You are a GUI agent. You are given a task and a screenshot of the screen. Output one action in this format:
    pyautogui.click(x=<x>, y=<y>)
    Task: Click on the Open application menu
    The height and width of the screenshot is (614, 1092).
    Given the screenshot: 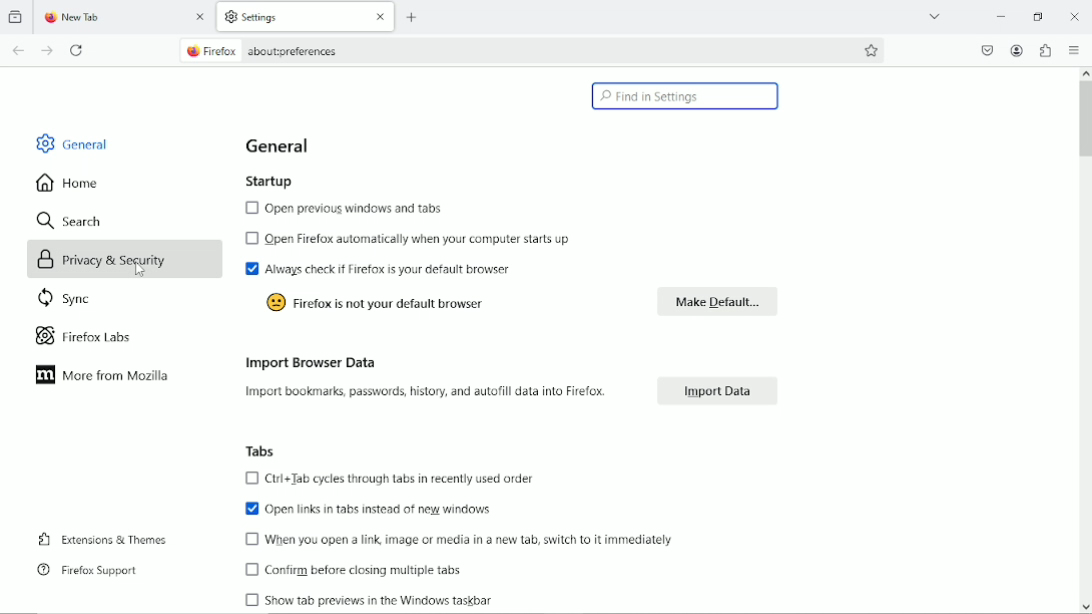 What is the action you would take?
    pyautogui.click(x=1075, y=51)
    